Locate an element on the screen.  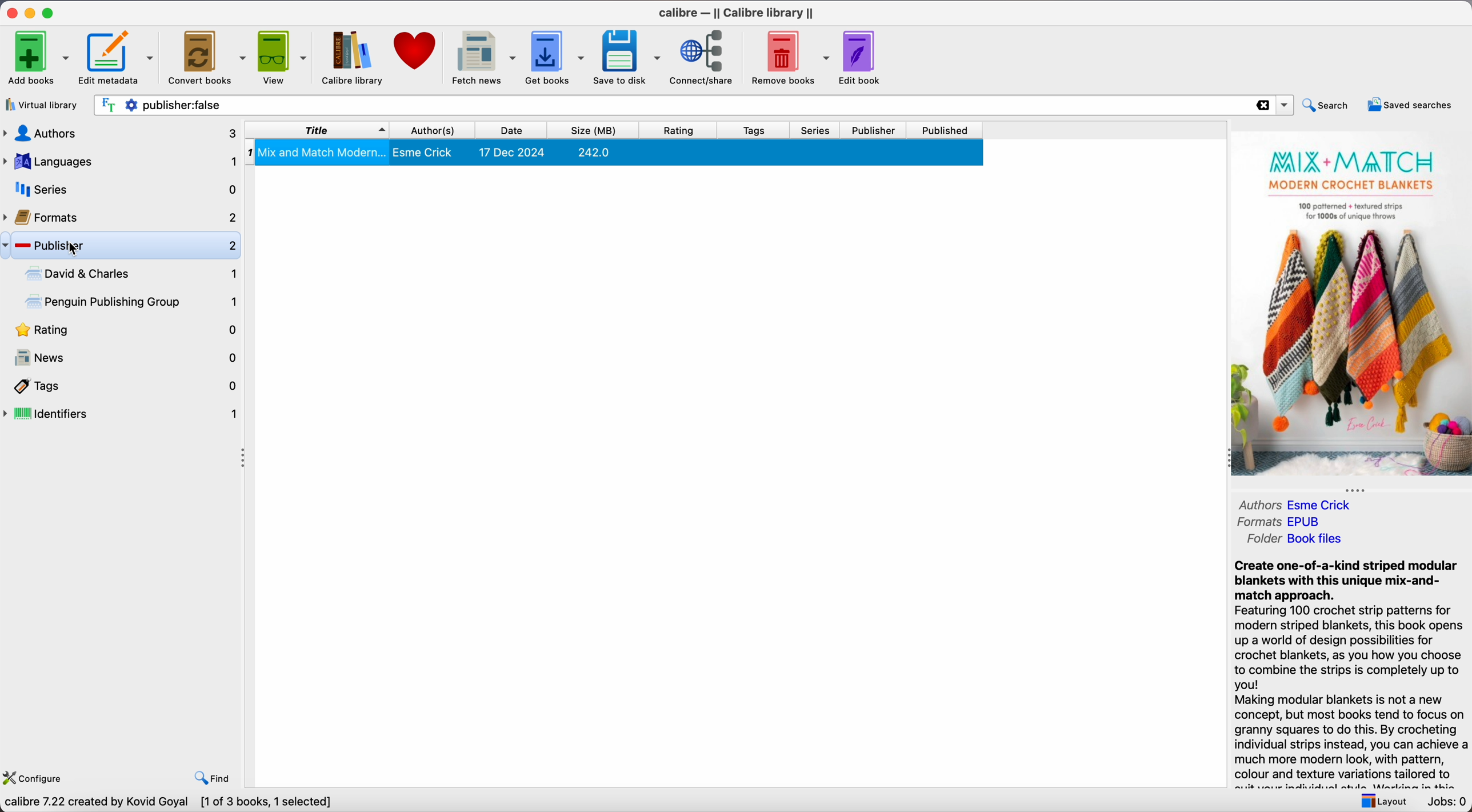
Penguin in Publishing Group is located at coordinates (133, 303).